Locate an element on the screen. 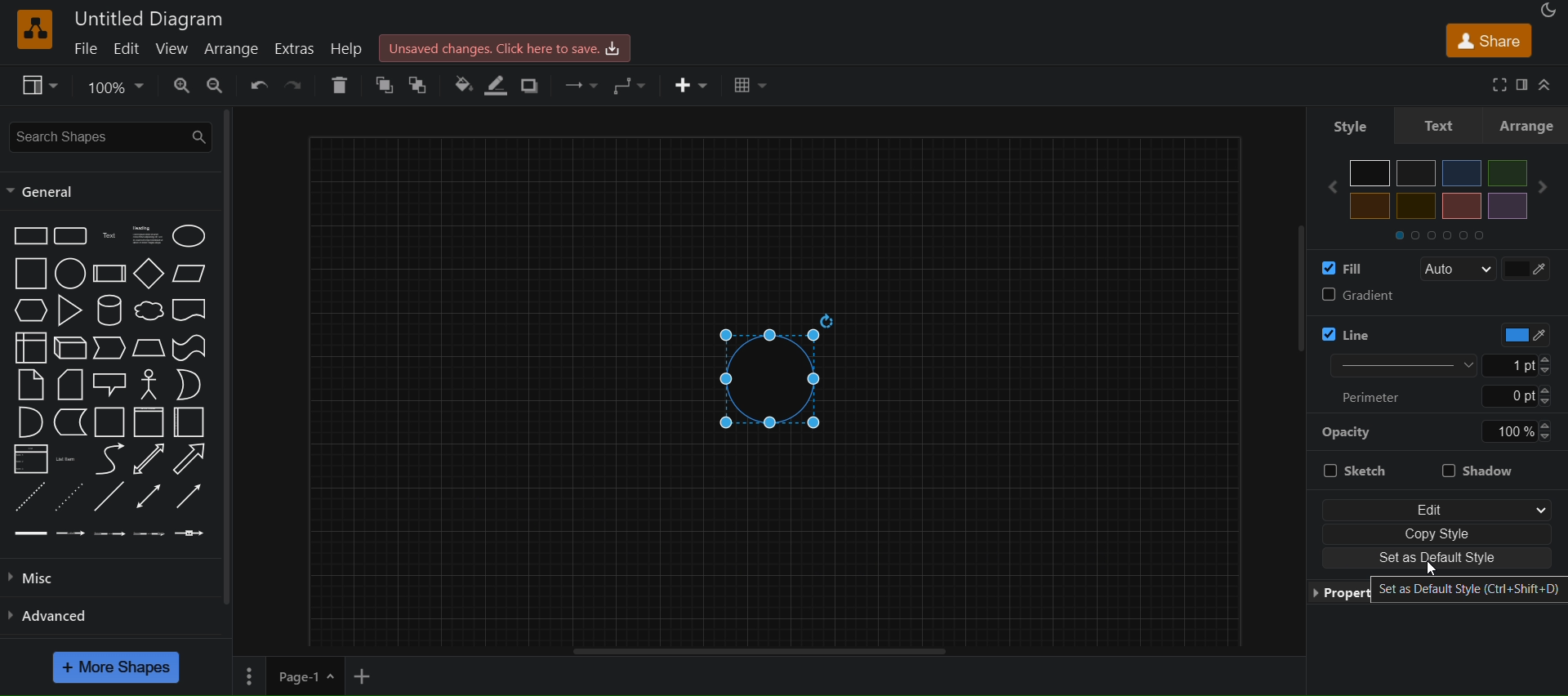 This screenshot has width=1568, height=696. perimeter is located at coordinates (1379, 396).